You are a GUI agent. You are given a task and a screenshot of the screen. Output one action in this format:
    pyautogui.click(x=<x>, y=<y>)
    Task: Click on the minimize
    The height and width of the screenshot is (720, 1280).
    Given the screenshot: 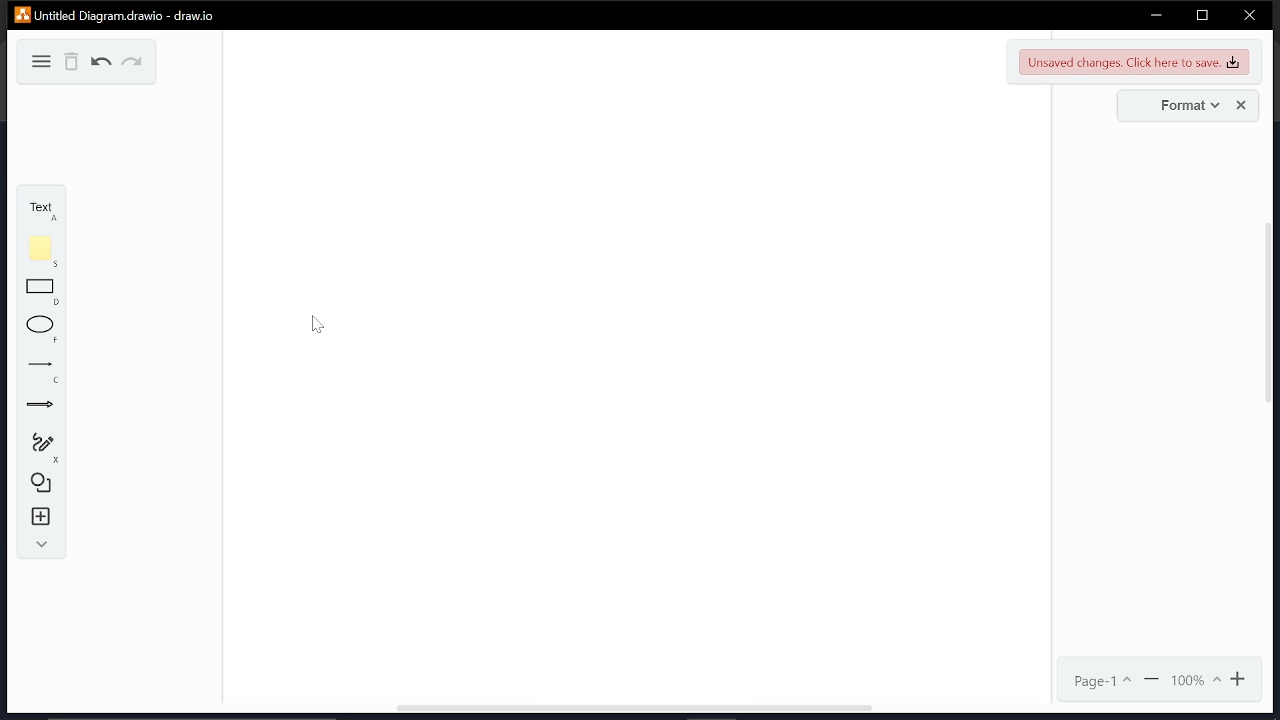 What is the action you would take?
    pyautogui.click(x=1156, y=15)
    